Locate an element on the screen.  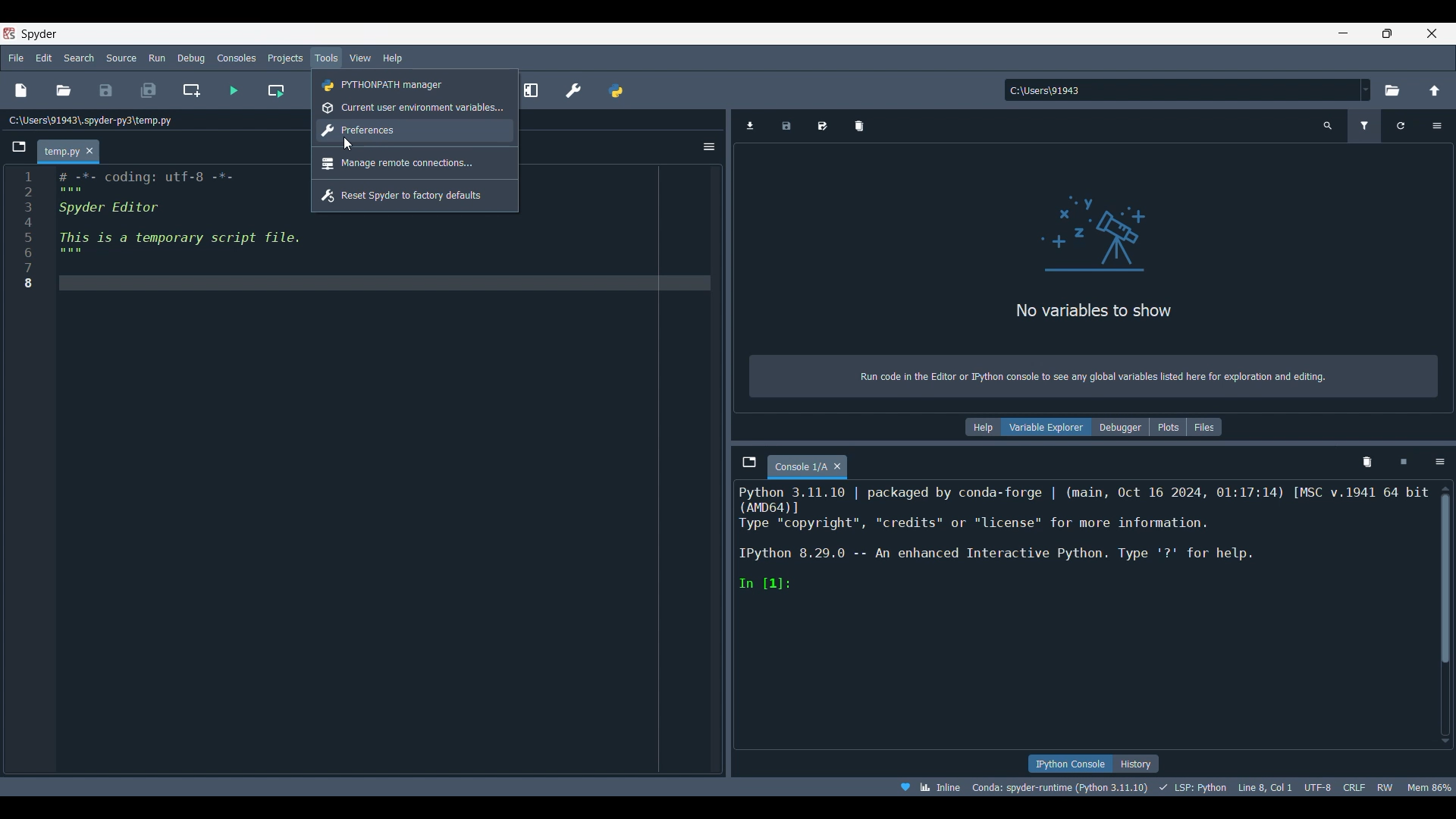
rw is located at coordinates (1386, 786).